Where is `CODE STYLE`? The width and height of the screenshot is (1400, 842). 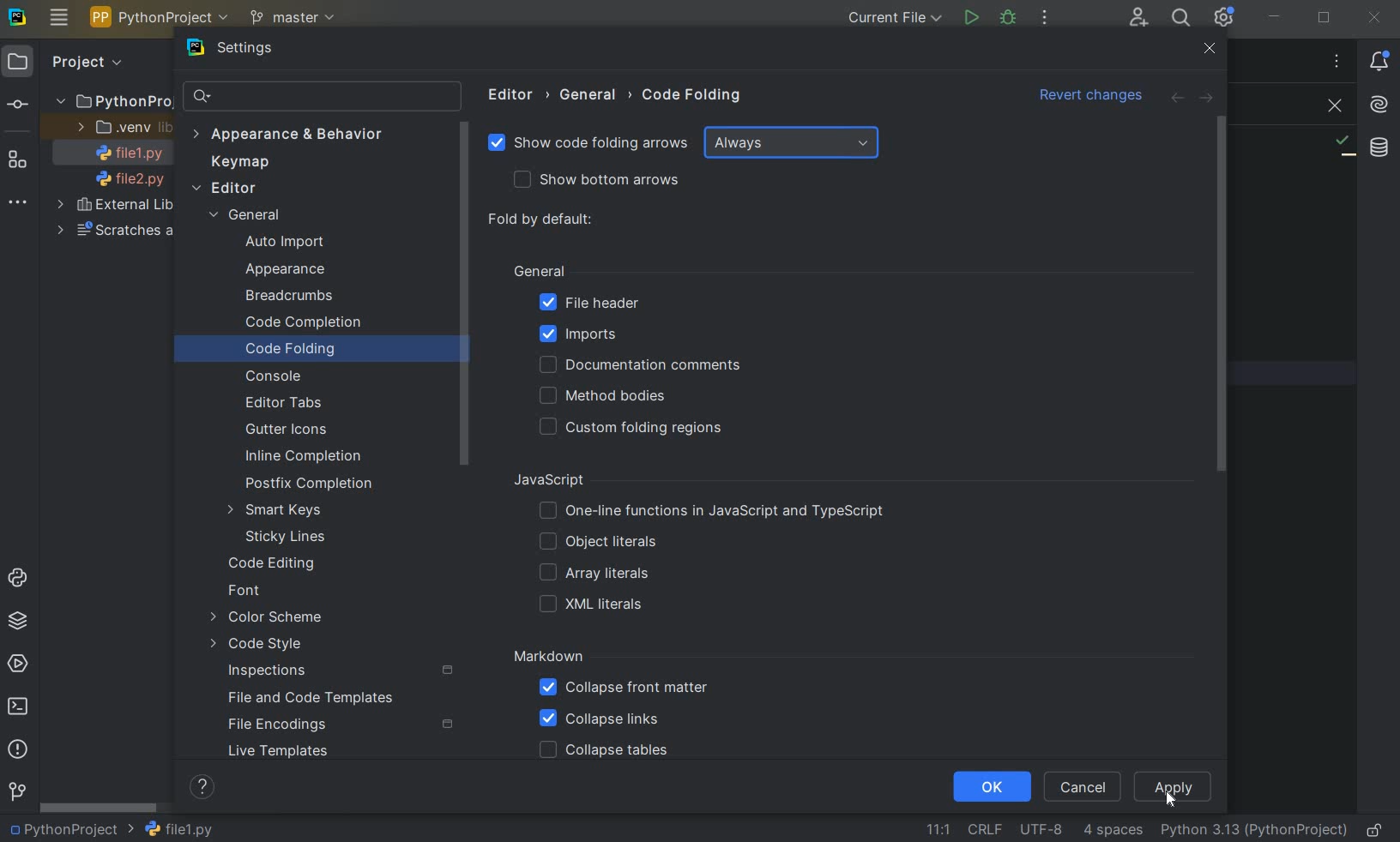
CODE STYLE is located at coordinates (284, 644).